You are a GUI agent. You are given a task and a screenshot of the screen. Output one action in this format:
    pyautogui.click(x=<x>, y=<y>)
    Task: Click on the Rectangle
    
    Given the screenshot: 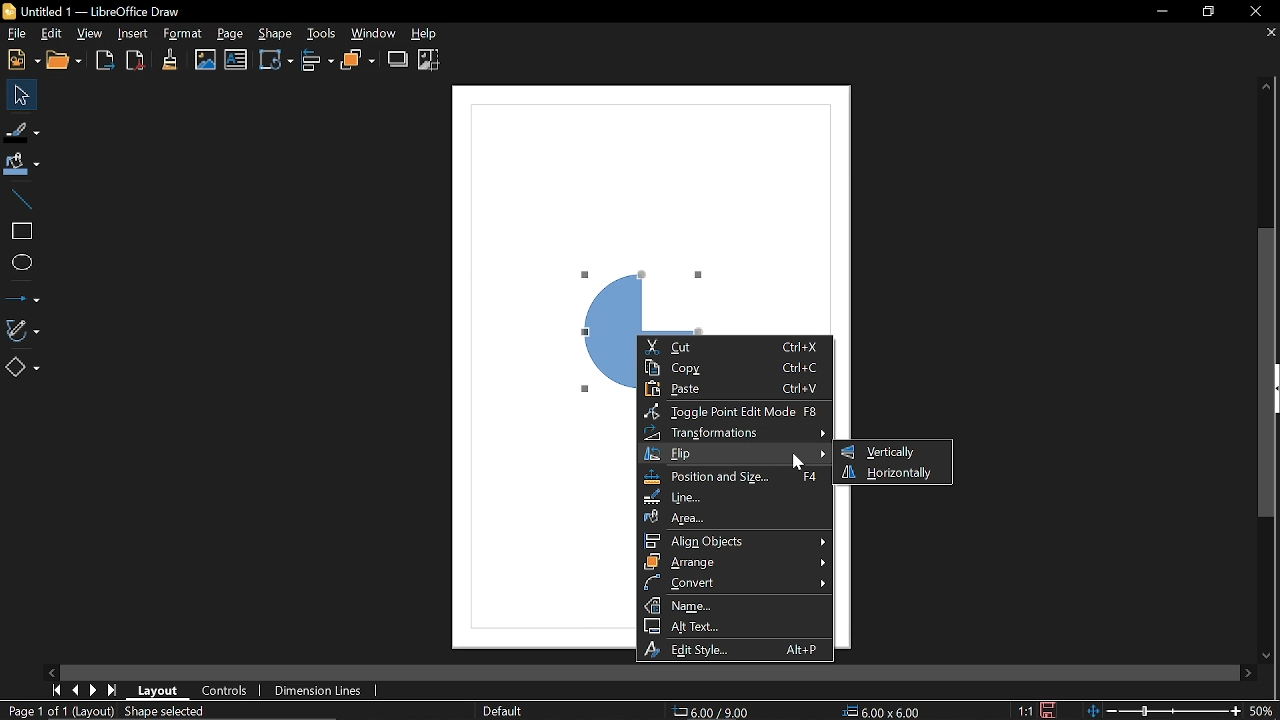 What is the action you would take?
    pyautogui.click(x=22, y=230)
    